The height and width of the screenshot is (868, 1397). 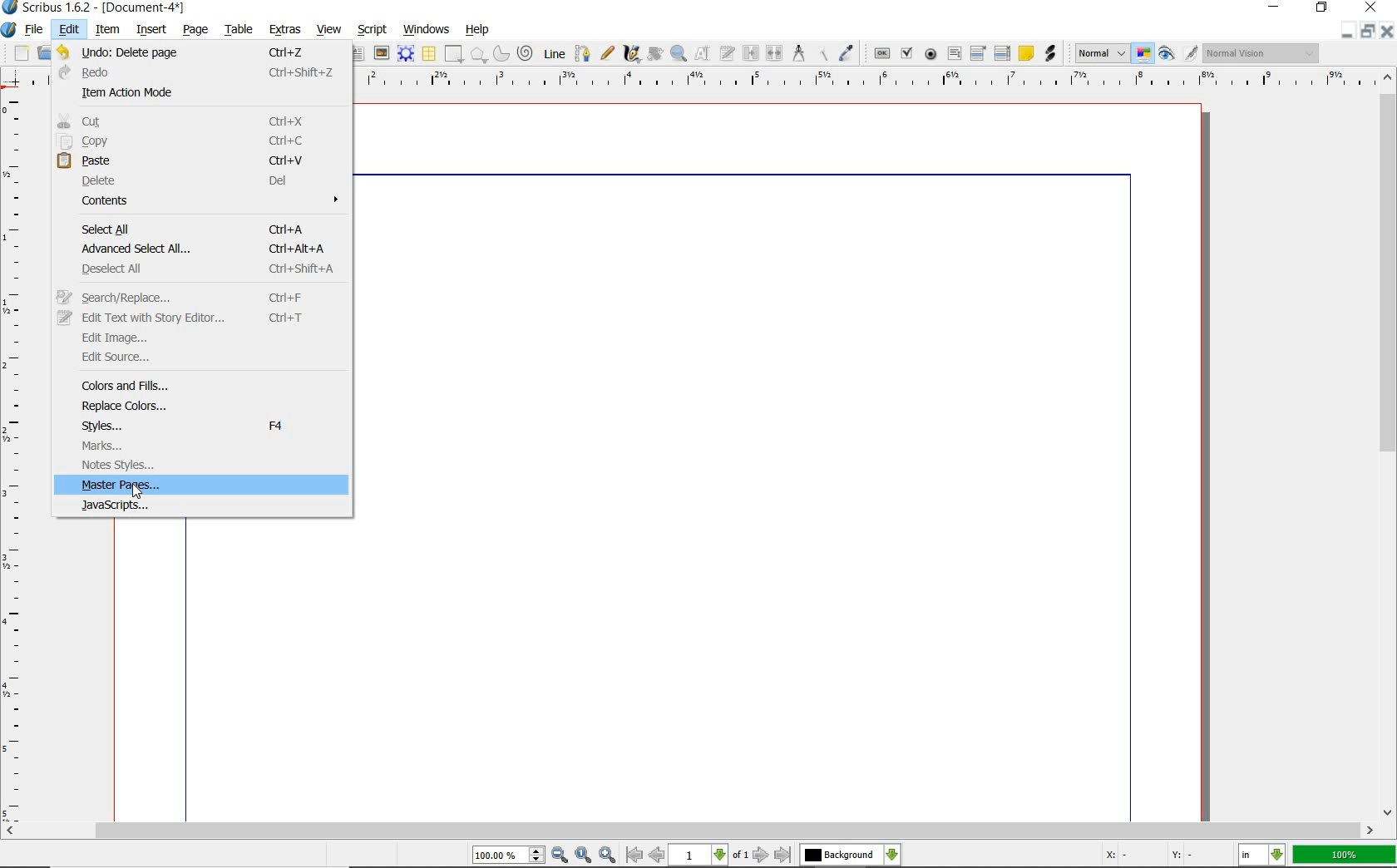 I want to click on paste, so click(x=202, y=160).